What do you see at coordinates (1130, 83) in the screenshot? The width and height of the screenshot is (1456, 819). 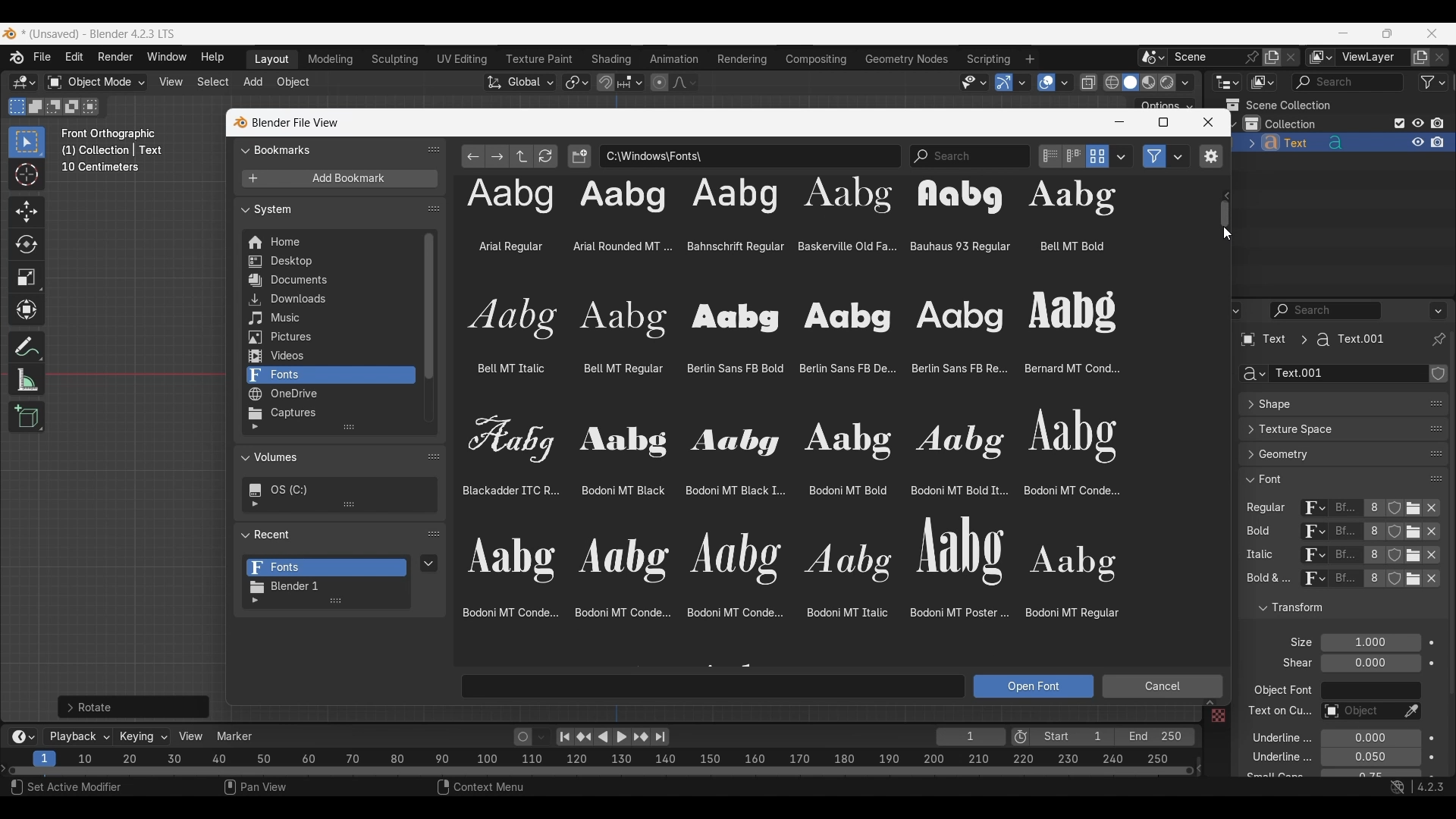 I see `Viewport shading, solid` at bounding box center [1130, 83].